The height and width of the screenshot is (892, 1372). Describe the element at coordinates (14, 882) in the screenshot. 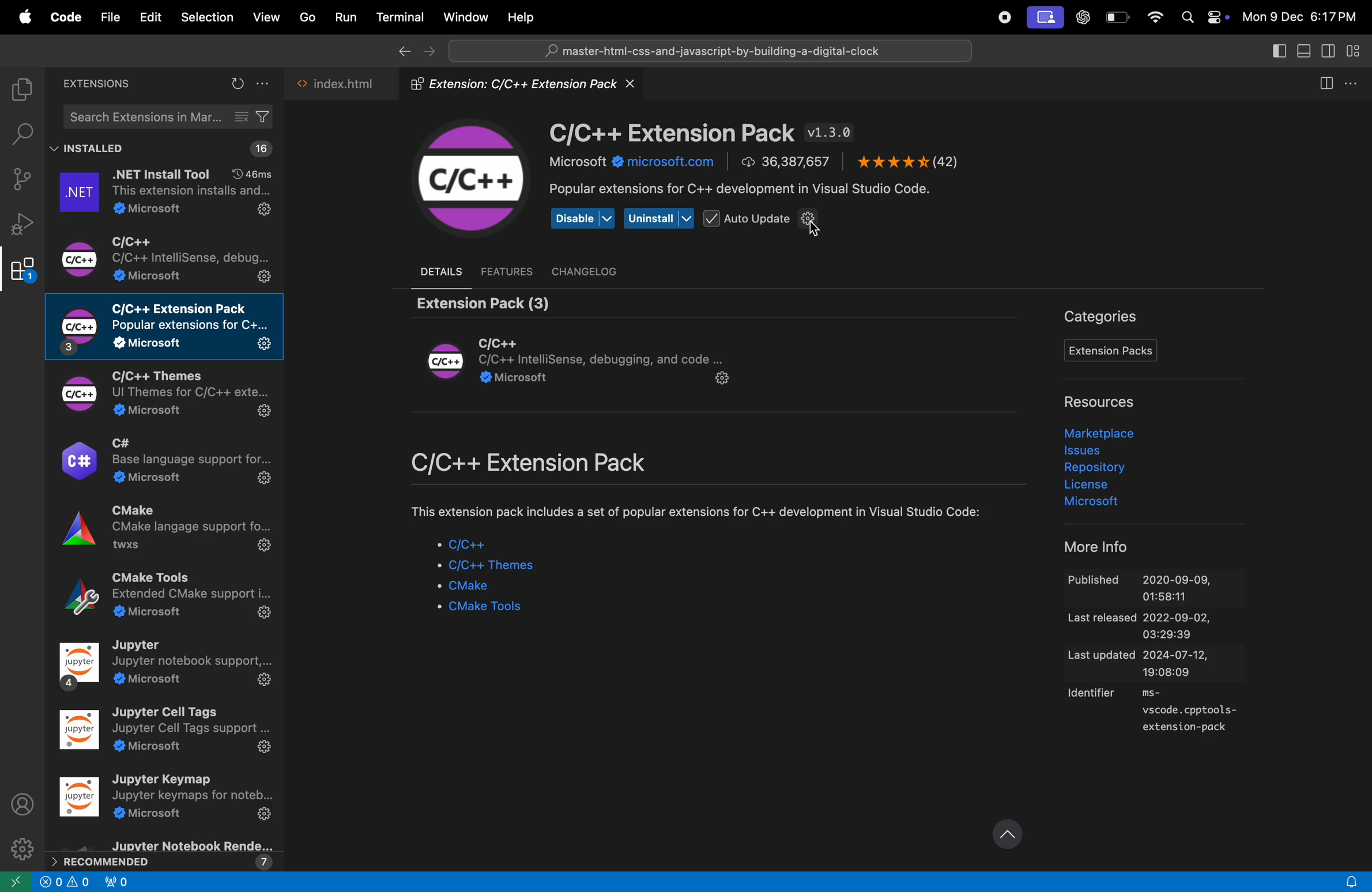

I see `go back` at that location.